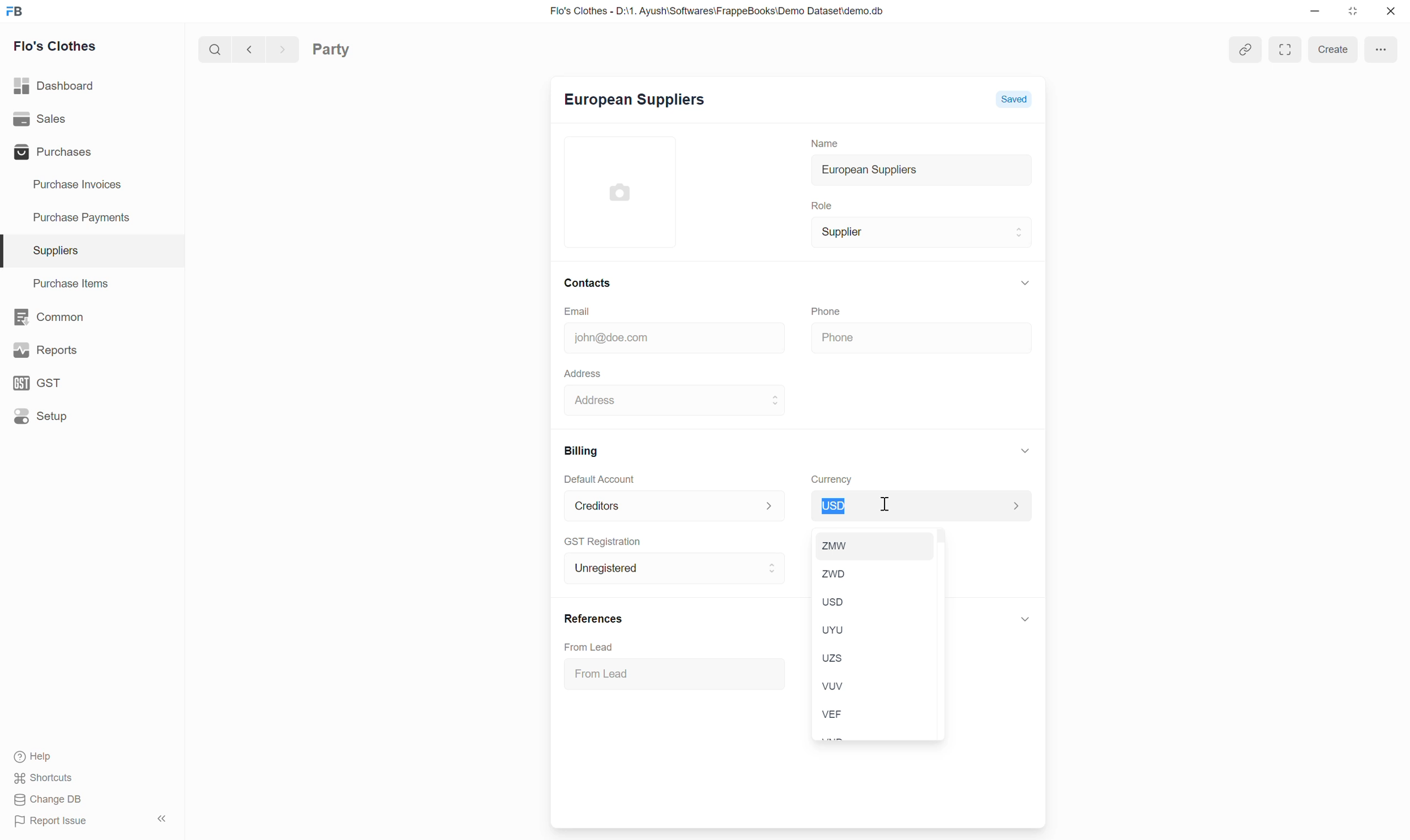 The width and height of the screenshot is (1410, 840). What do you see at coordinates (835, 659) in the screenshot?
I see `uzs` at bounding box center [835, 659].